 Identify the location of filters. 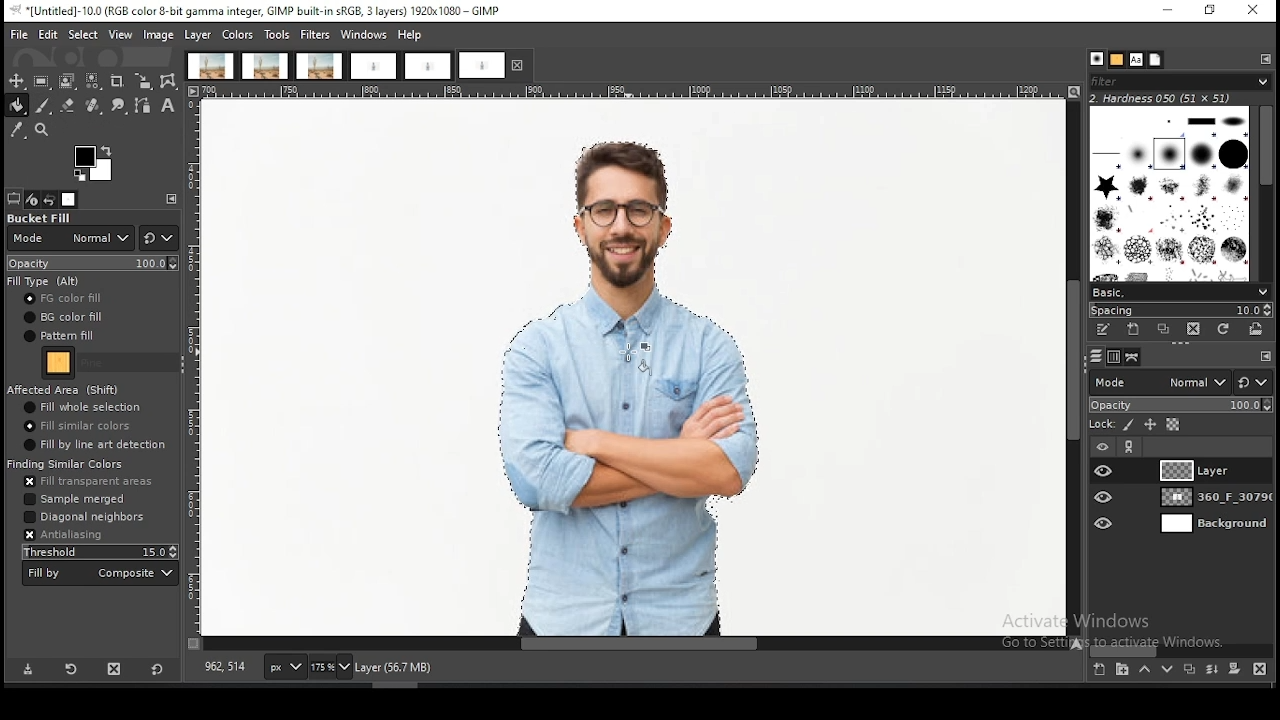
(316, 35).